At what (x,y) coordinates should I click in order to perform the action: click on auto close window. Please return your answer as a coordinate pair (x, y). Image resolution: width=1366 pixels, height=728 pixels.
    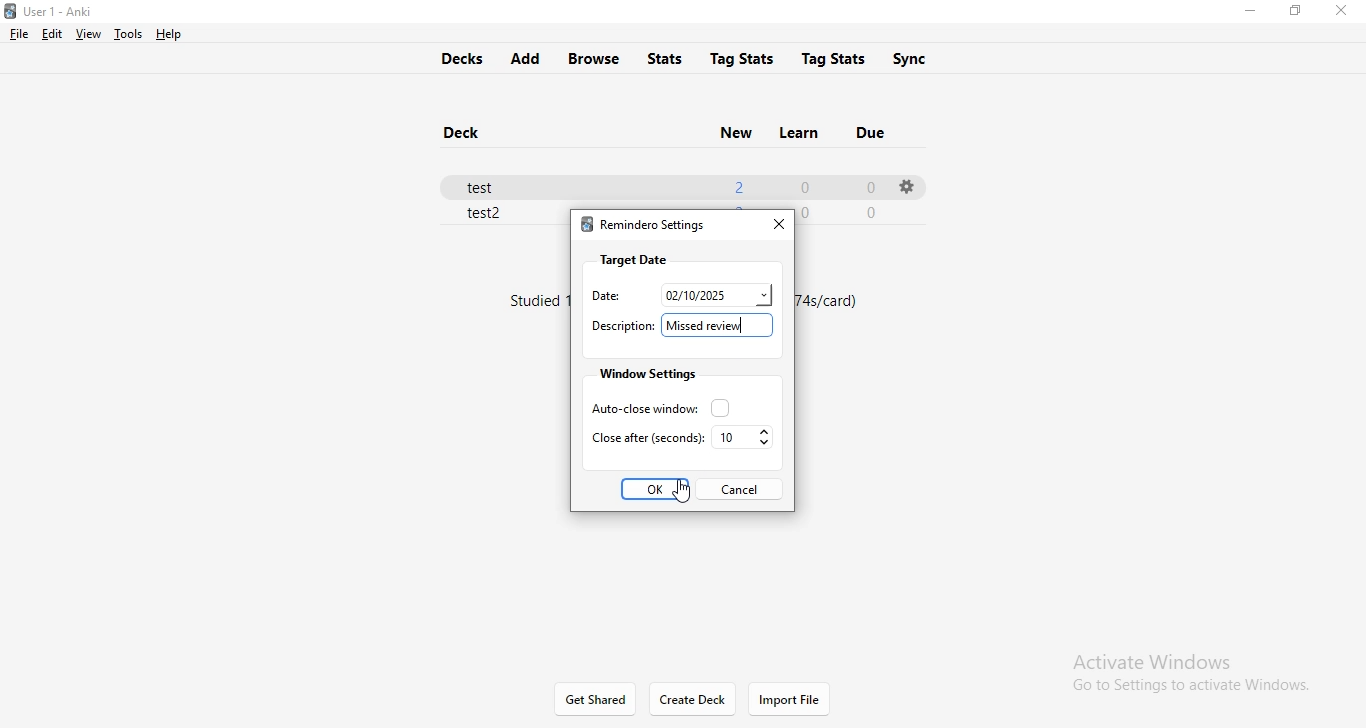
    Looking at the image, I should click on (655, 407).